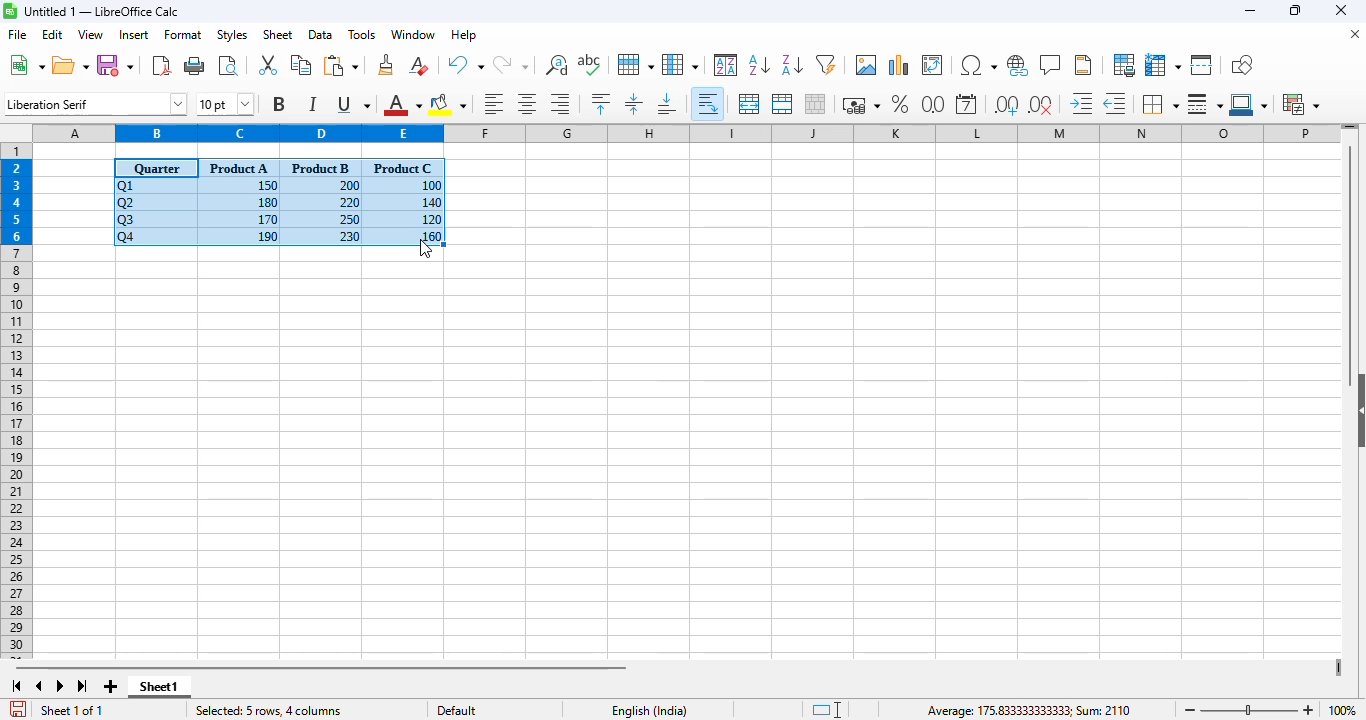  Describe the element at coordinates (494, 103) in the screenshot. I see `align left` at that location.